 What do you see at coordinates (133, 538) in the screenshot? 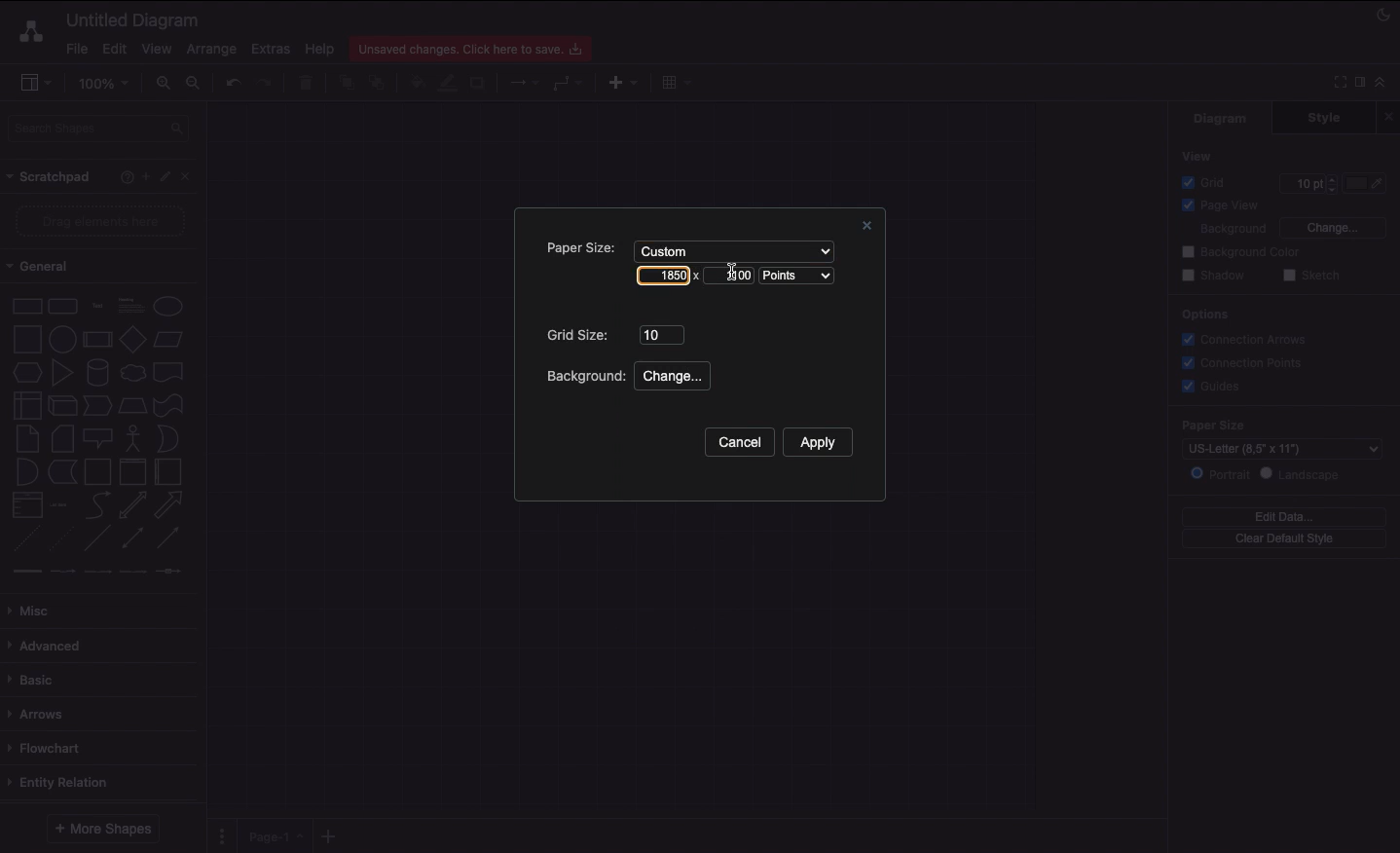
I see `Bidirectional connector` at bounding box center [133, 538].